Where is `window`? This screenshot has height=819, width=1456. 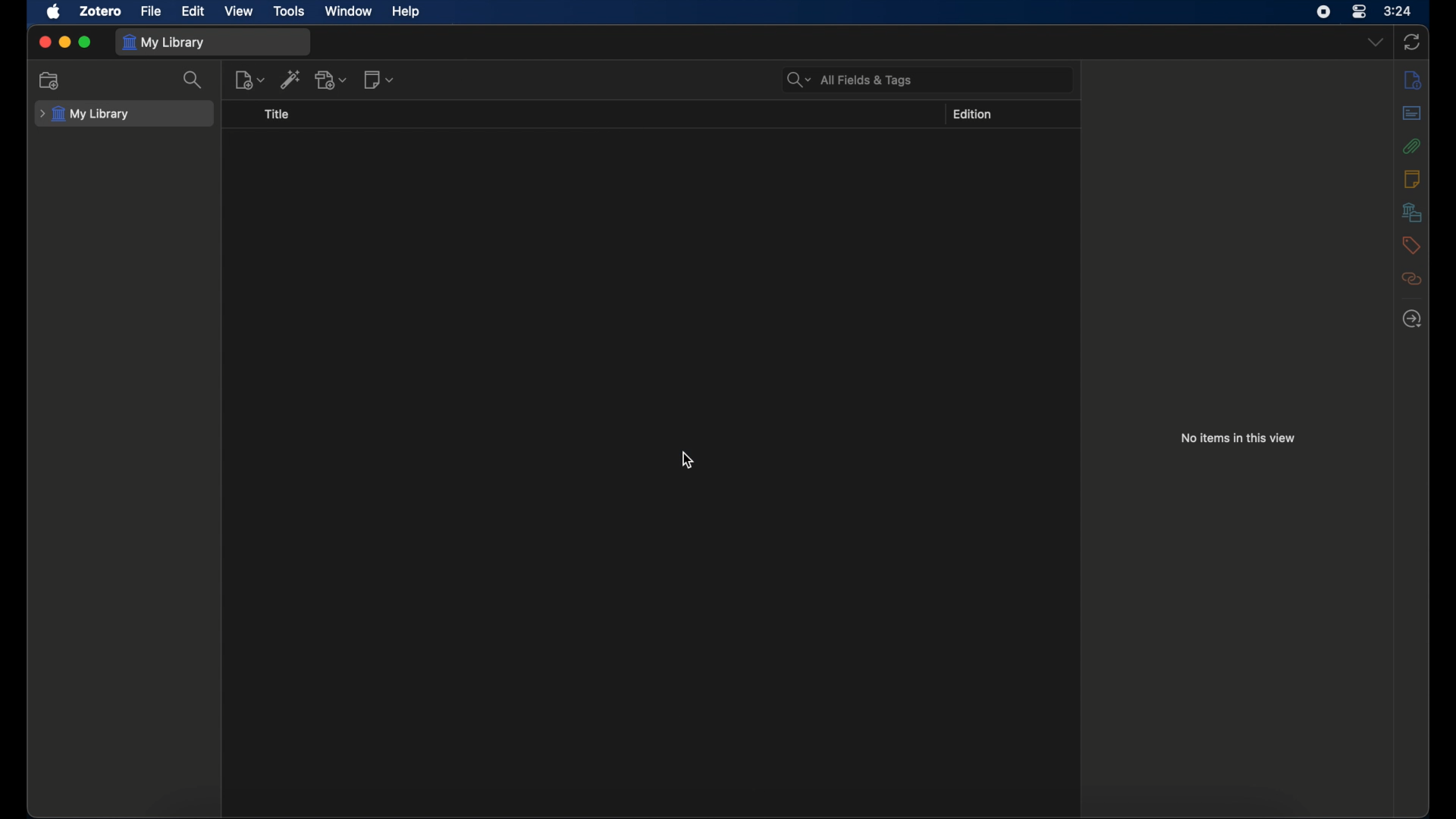
window is located at coordinates (349, 10).